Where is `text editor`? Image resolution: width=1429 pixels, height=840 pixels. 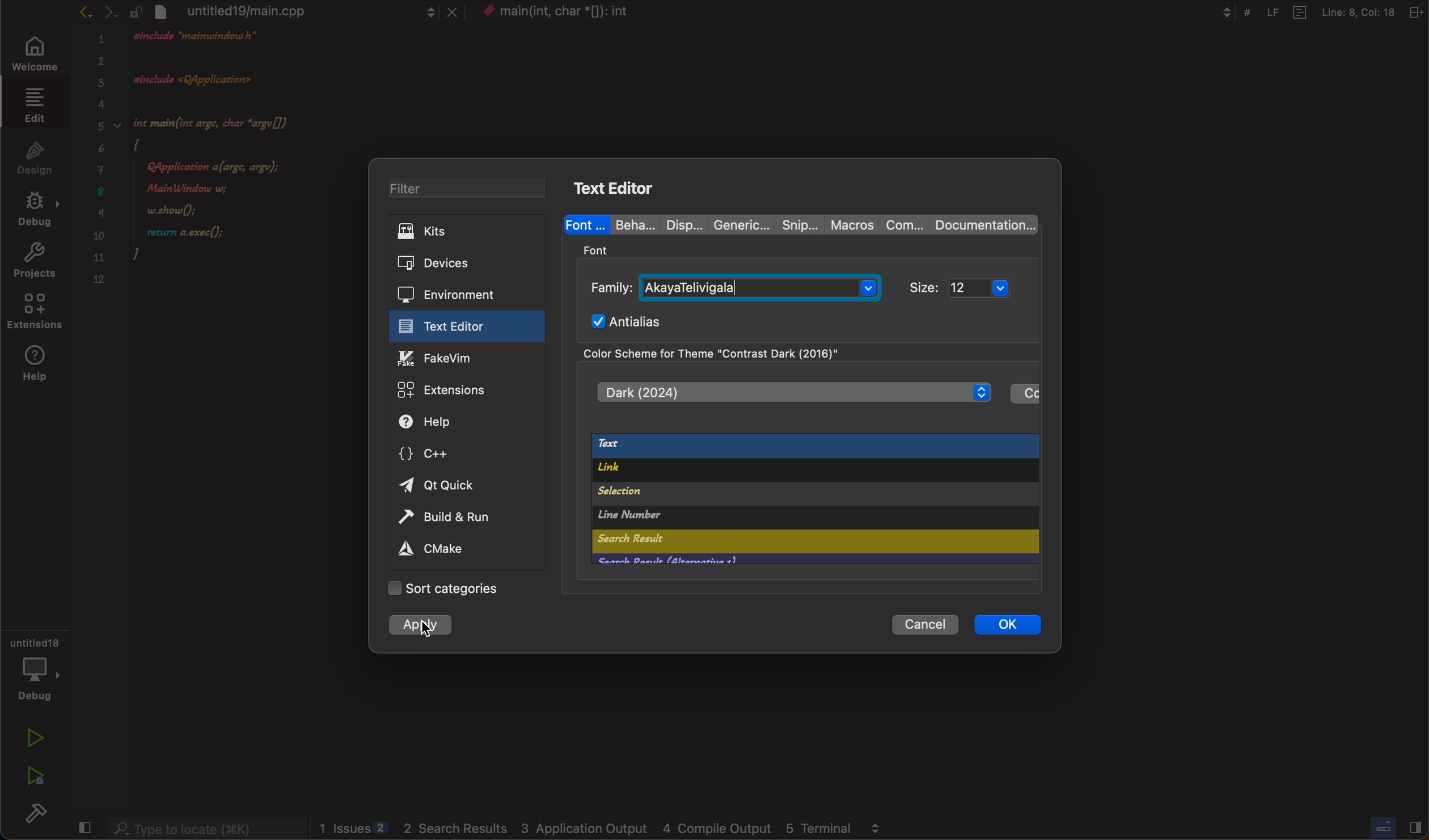
text editor is located at coordinates (620, 186).